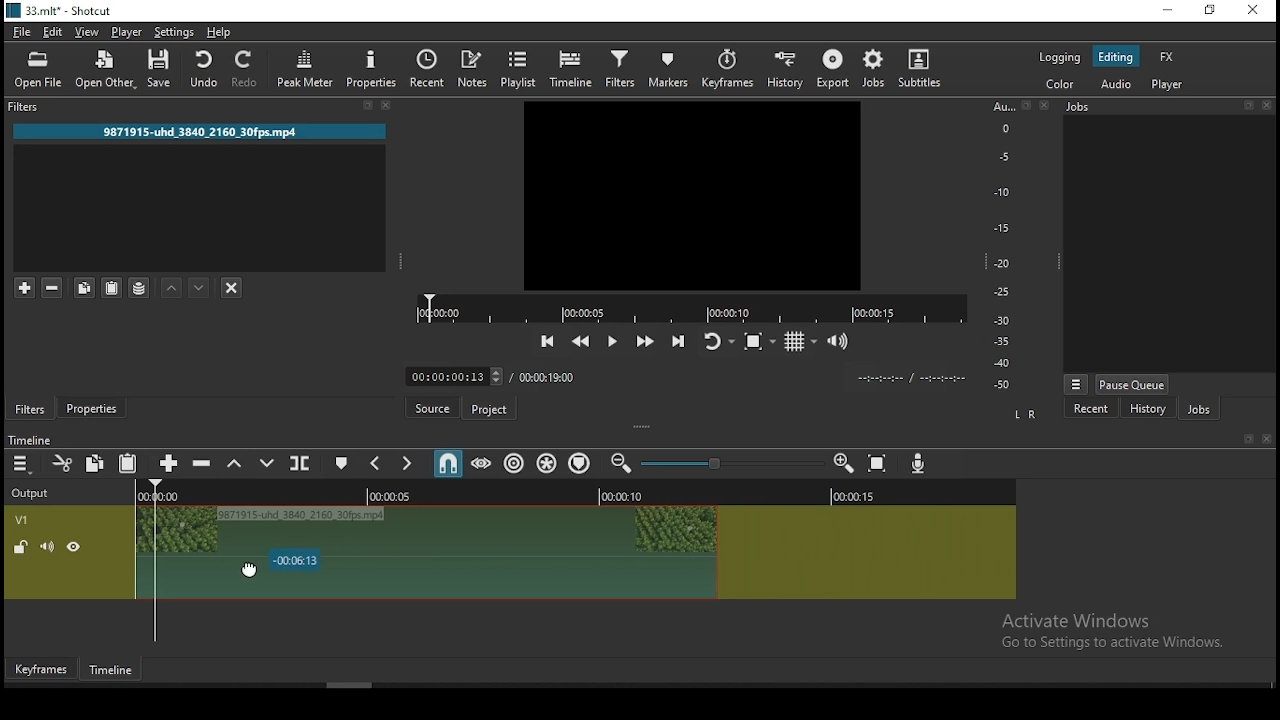 This screenshot has width=1280, height=720. Describe the element at coordinates (691, 194) in the screenshot. I see `preview` at that location.